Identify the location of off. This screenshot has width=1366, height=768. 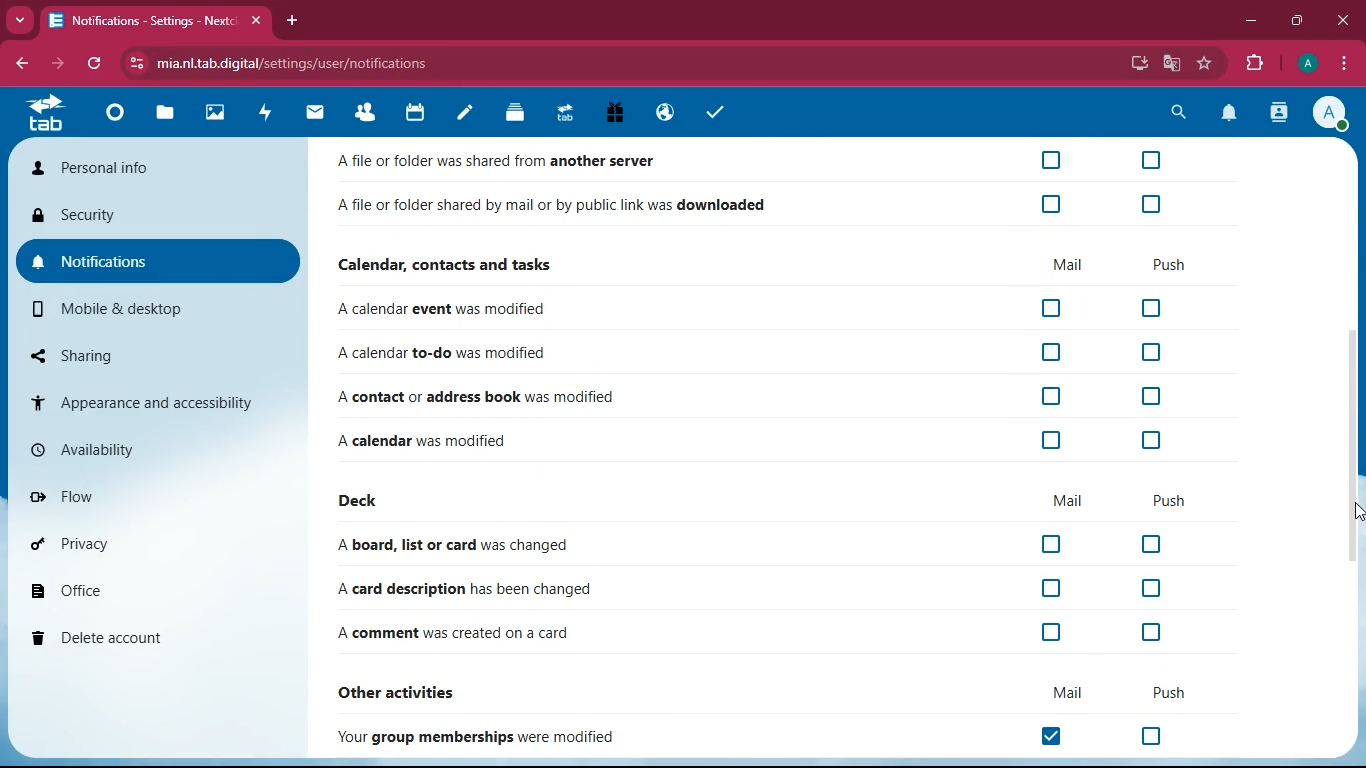
(1051, 160).